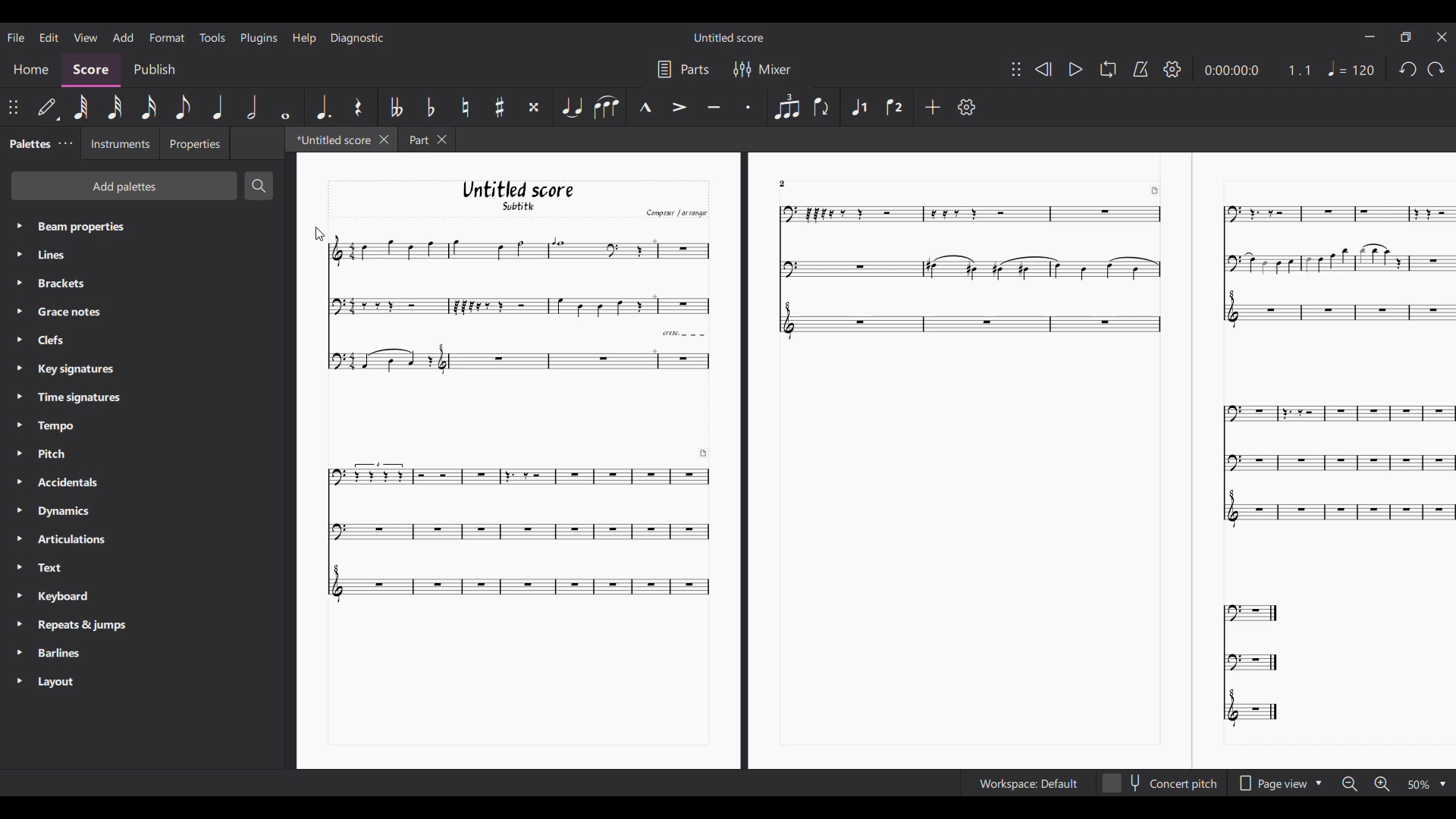 This screenshot has width=1456, height=819. Describe the element at coordinates (183, 107) in the screenshot. I see `8th note` at that location.